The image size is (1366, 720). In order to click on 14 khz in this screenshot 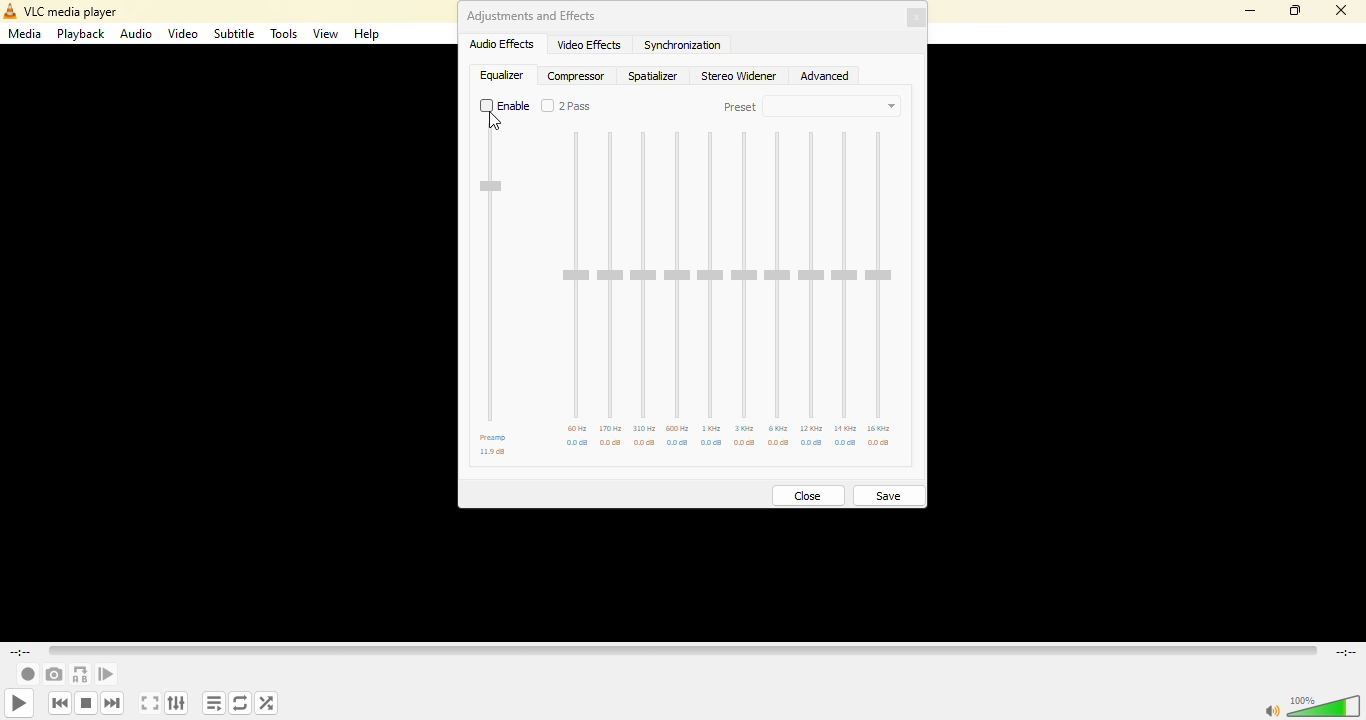, I will do `click(846, 428)`.